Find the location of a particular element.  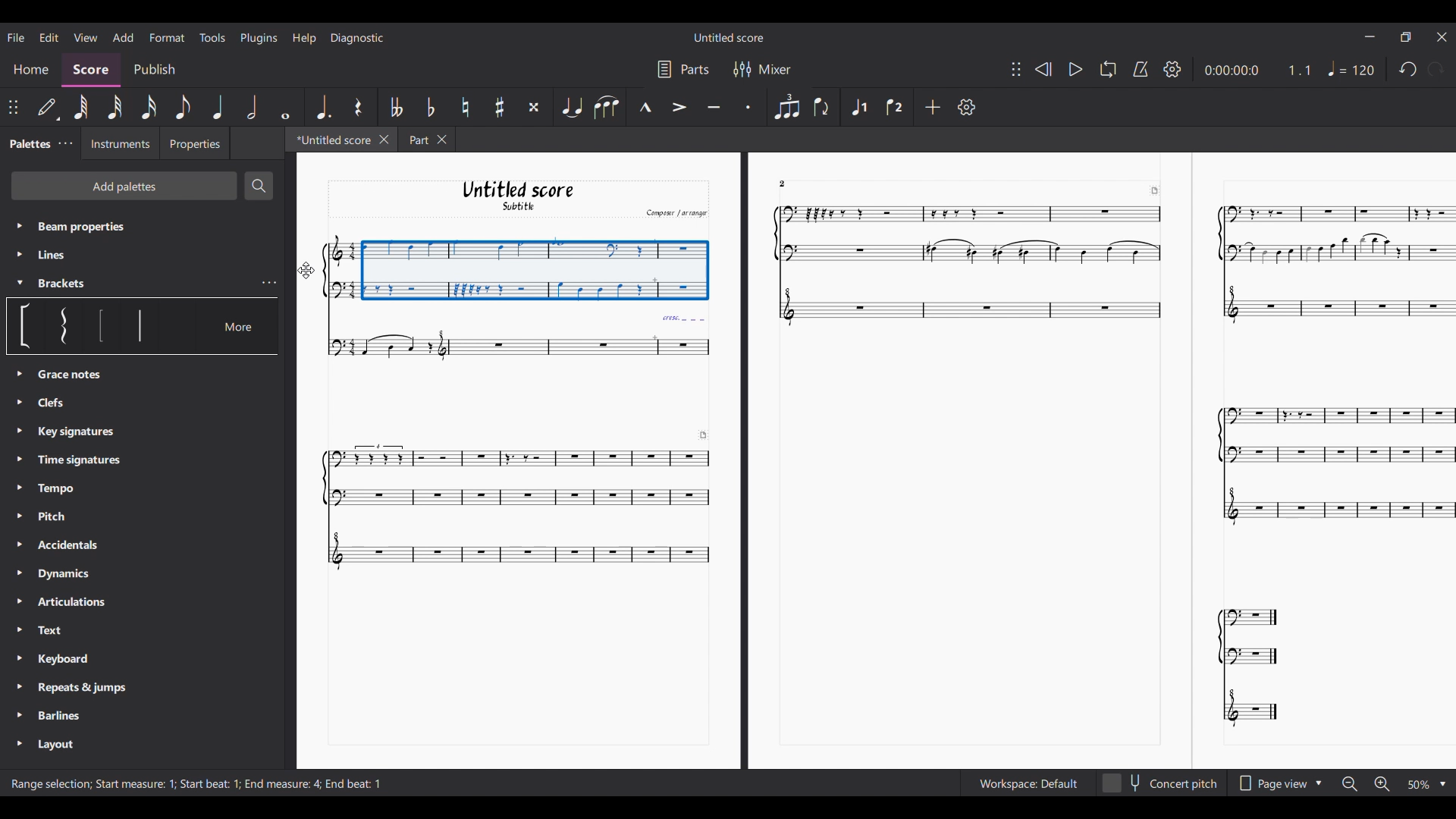

Palette settings is located at coordinates (65, 144).